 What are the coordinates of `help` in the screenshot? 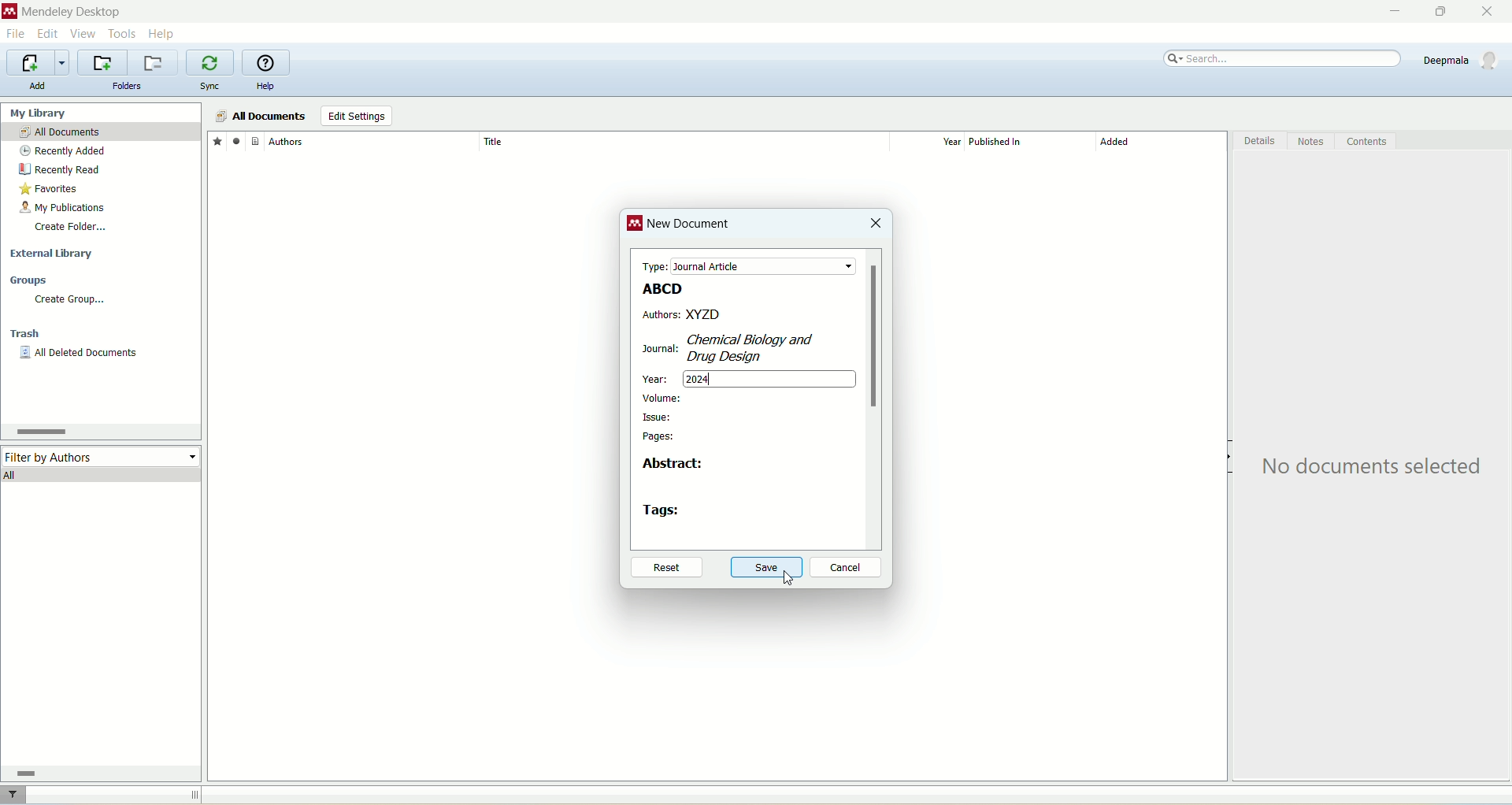 It's located at (163, 33).